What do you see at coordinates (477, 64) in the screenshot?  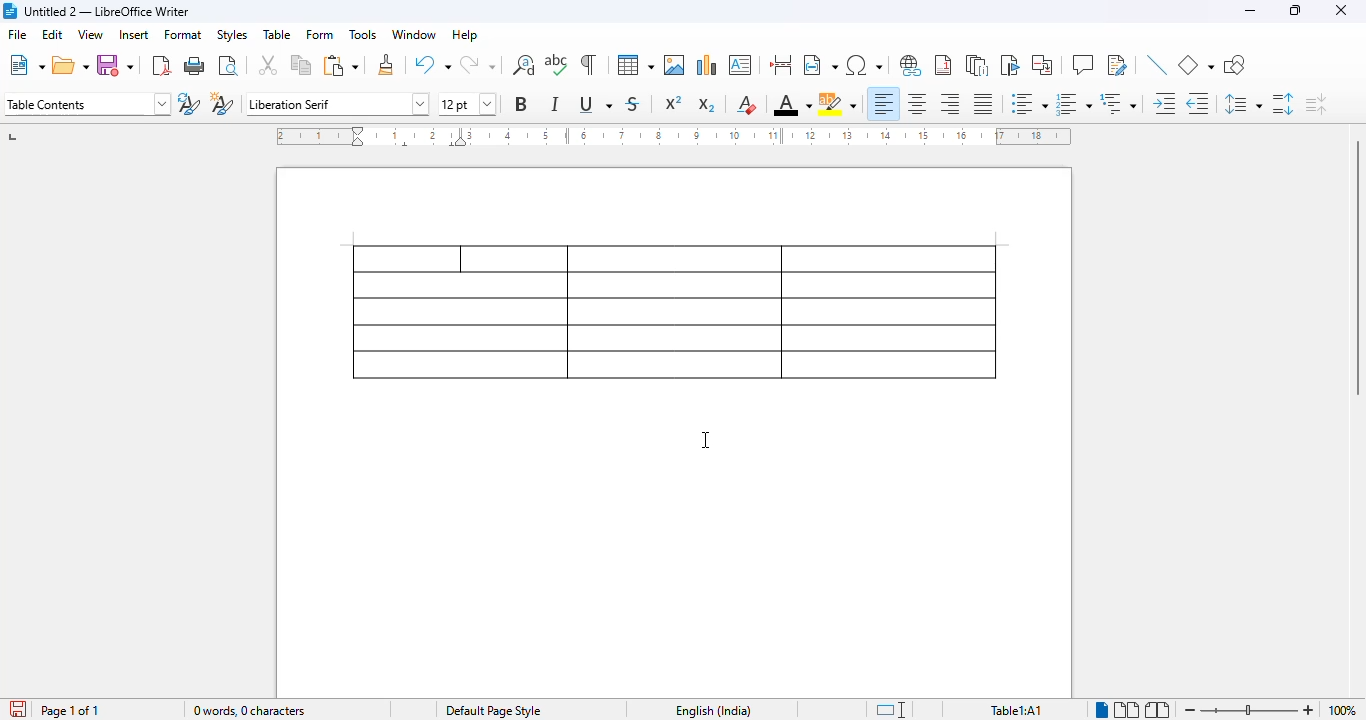 I see `redo` at bounding box center [477, 64].